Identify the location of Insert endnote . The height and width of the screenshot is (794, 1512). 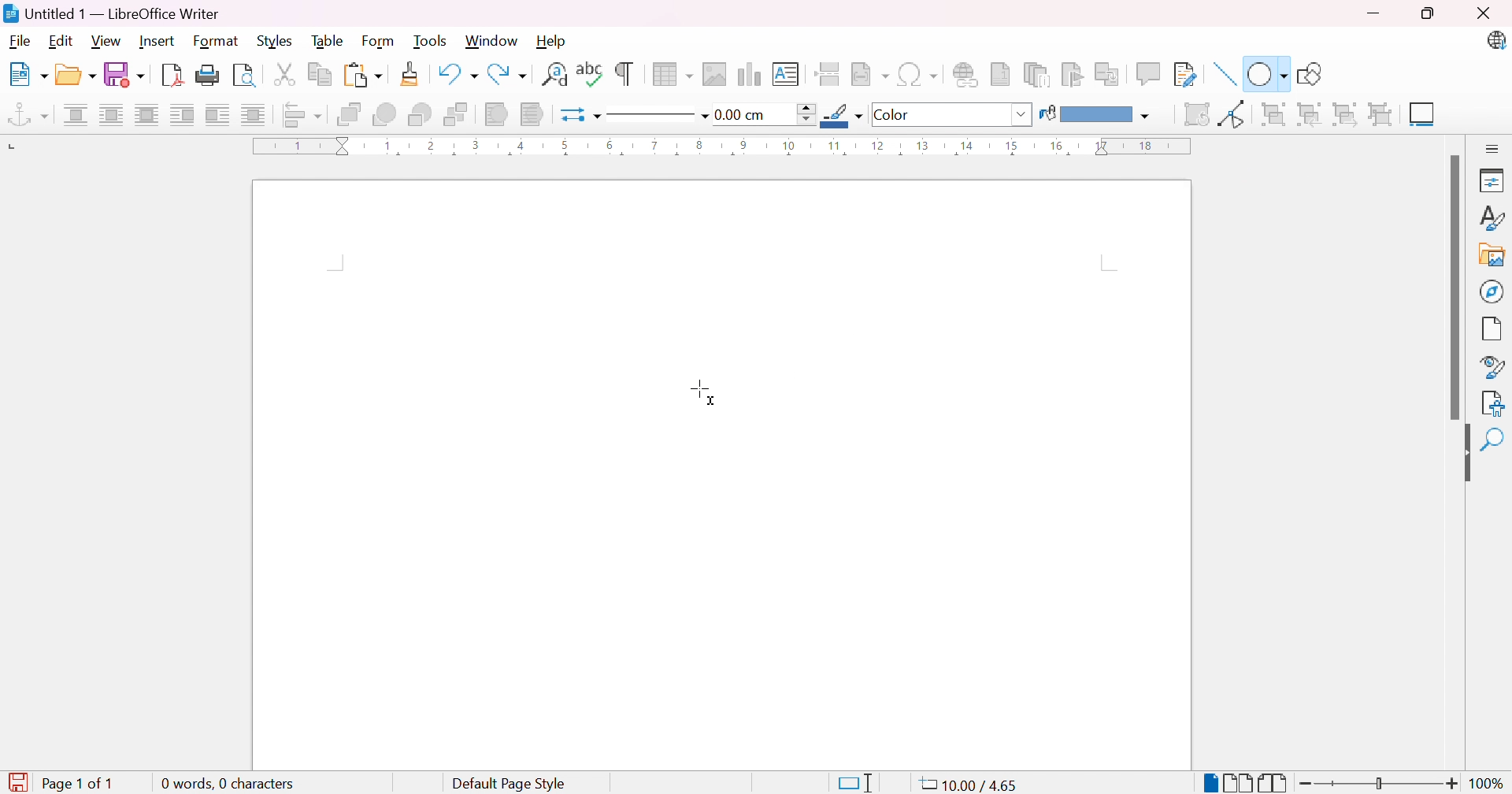
(1039, 75).